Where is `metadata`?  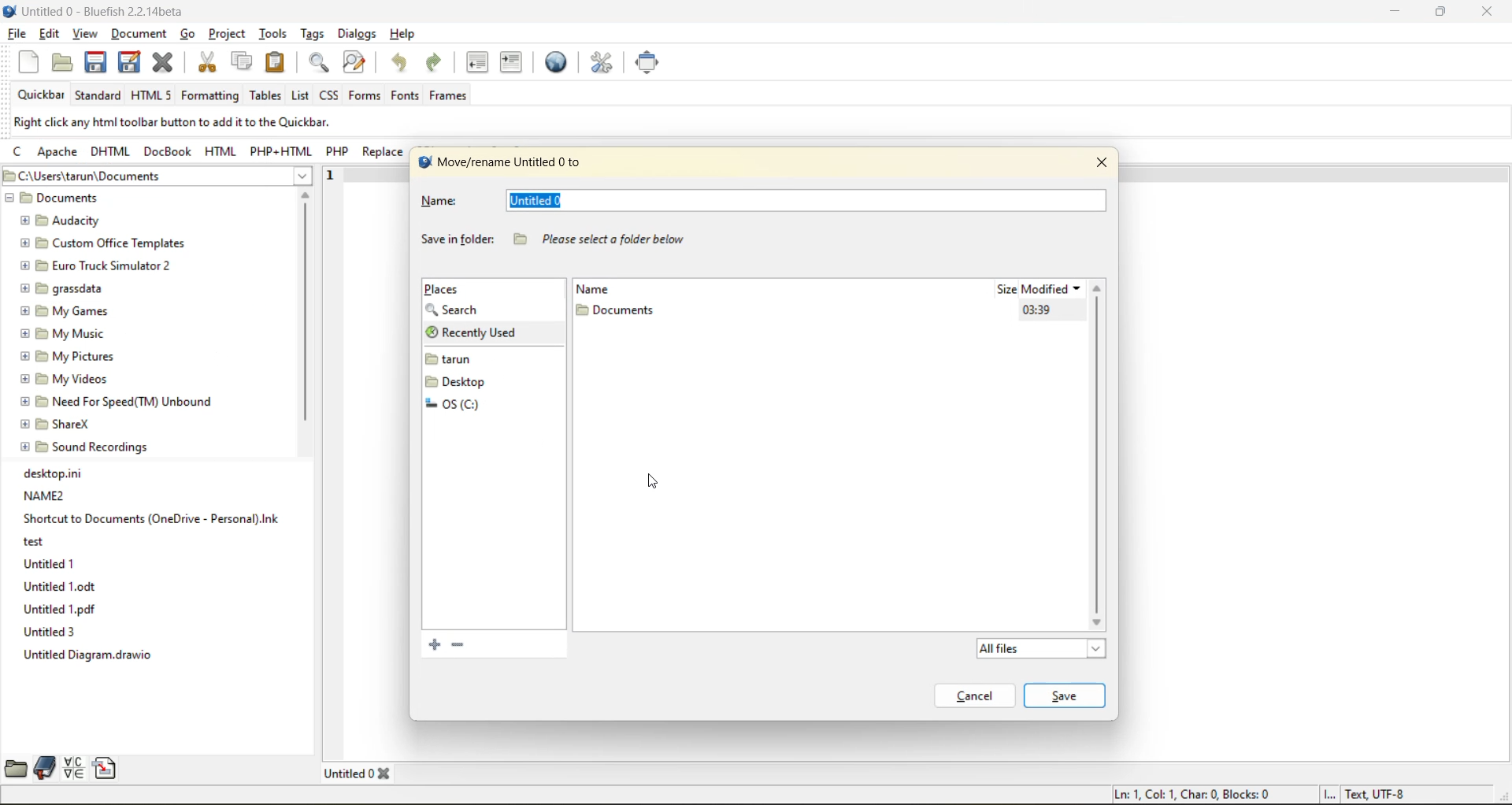
metadata is located at coordinates (1262, 795).